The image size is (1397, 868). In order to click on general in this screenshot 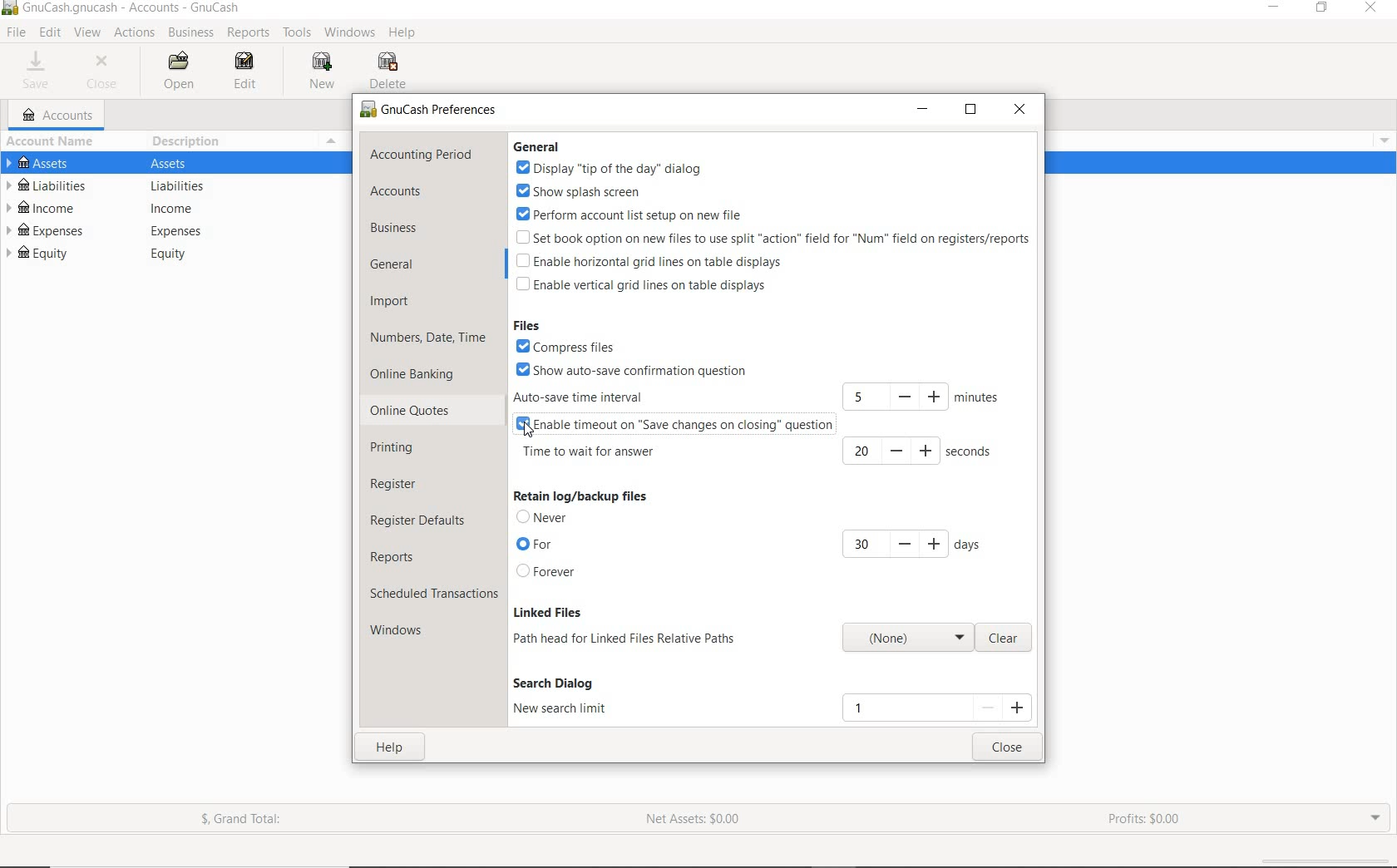, I will do `click(541, 147)`.